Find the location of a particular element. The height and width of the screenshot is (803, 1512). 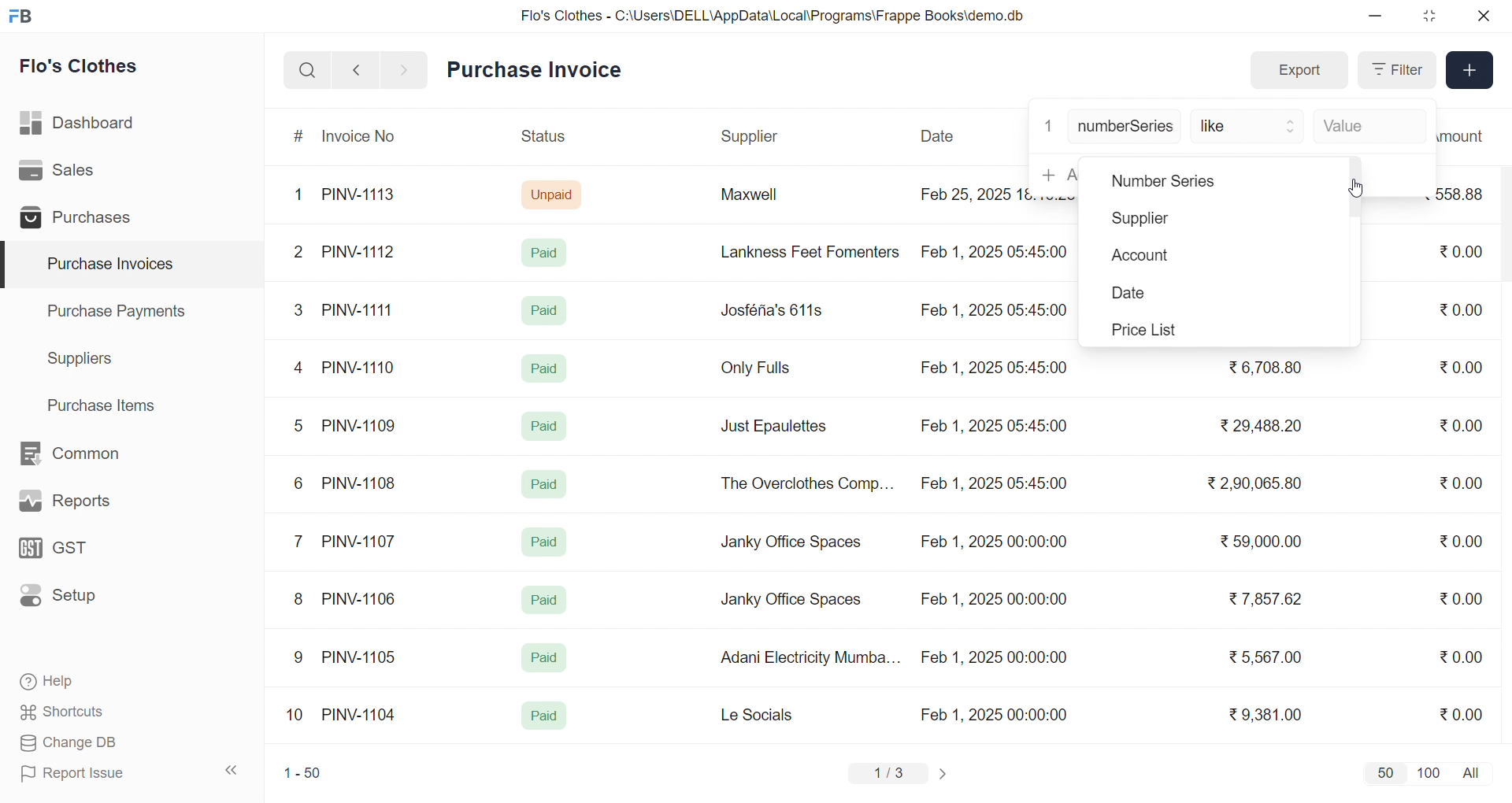

₹0.00 is located at coordinates (1460, 485).